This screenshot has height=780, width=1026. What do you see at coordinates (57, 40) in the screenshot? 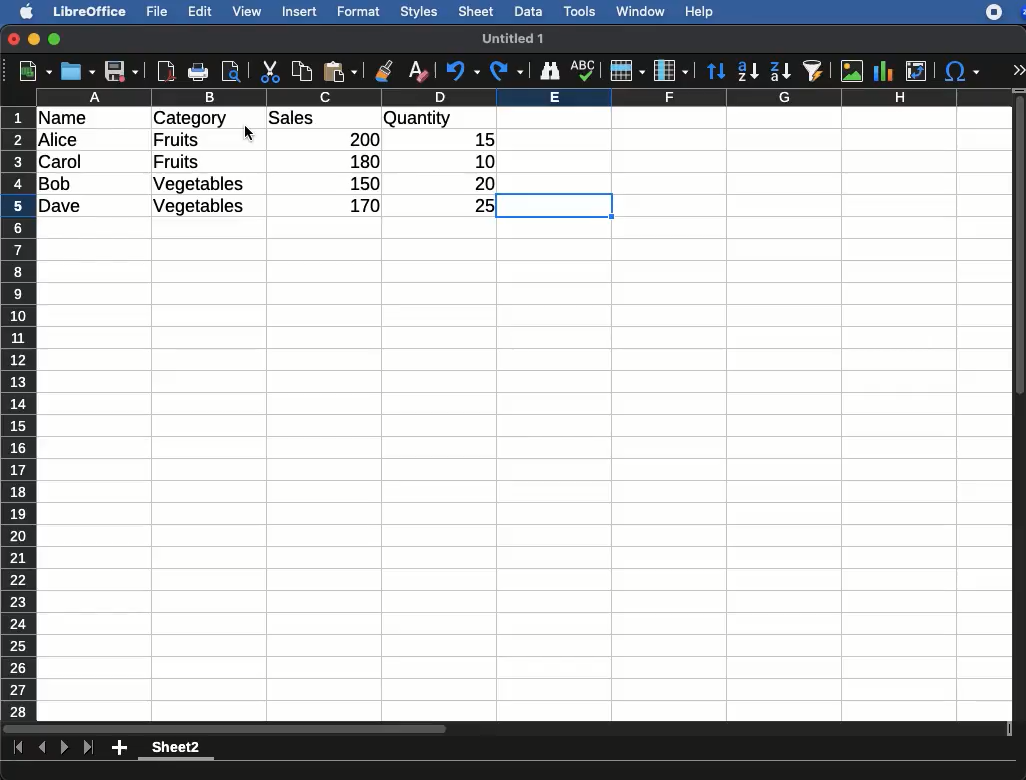
I see `maximize` at bounding box center [57, 40].